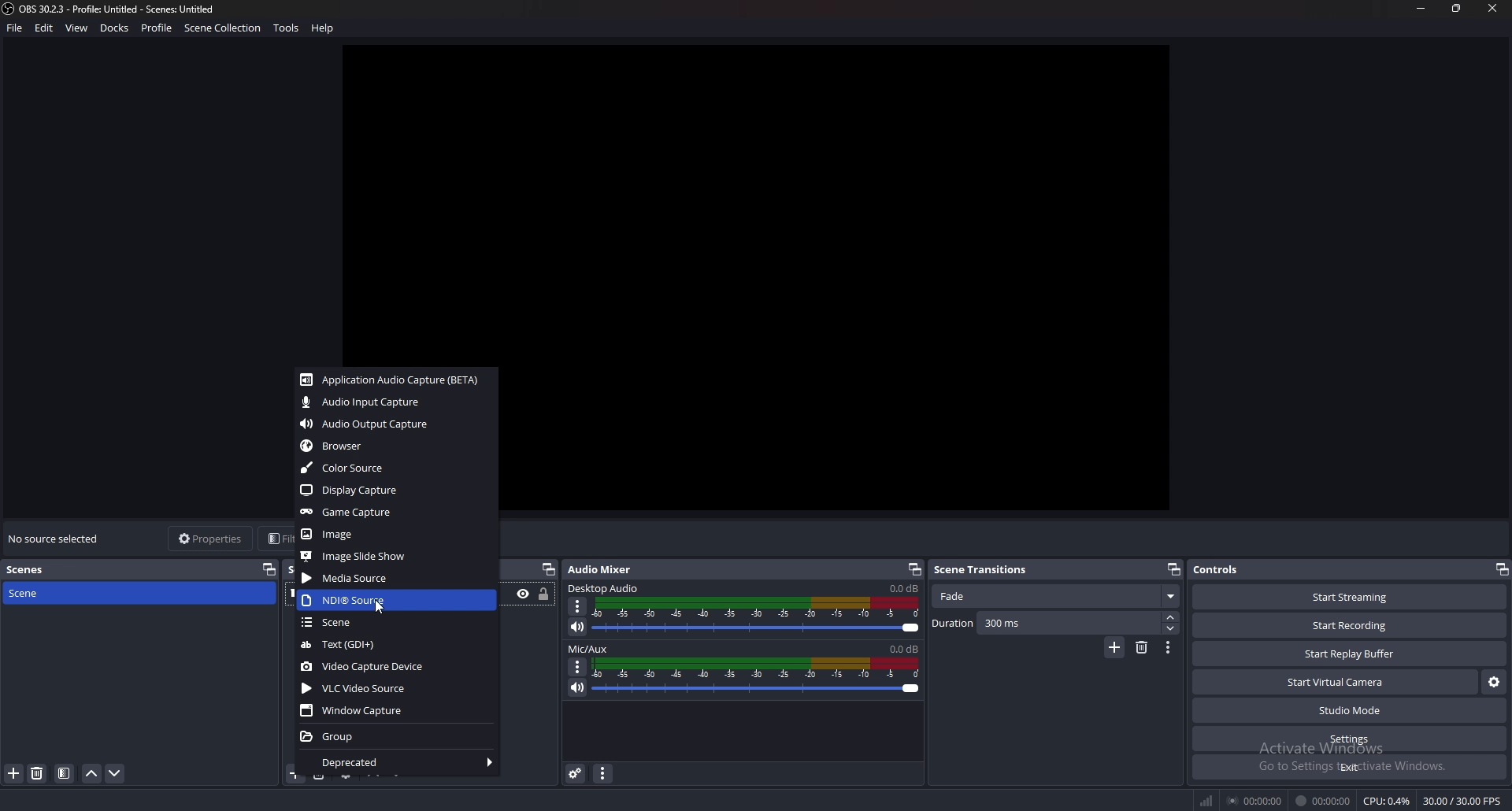 Image resolution: width=1512 pixels, height=811 pixels. What do you see at coordinates (394, 402) in the screenshot?
I see `audio input capture` at bounding box center [394, 402].